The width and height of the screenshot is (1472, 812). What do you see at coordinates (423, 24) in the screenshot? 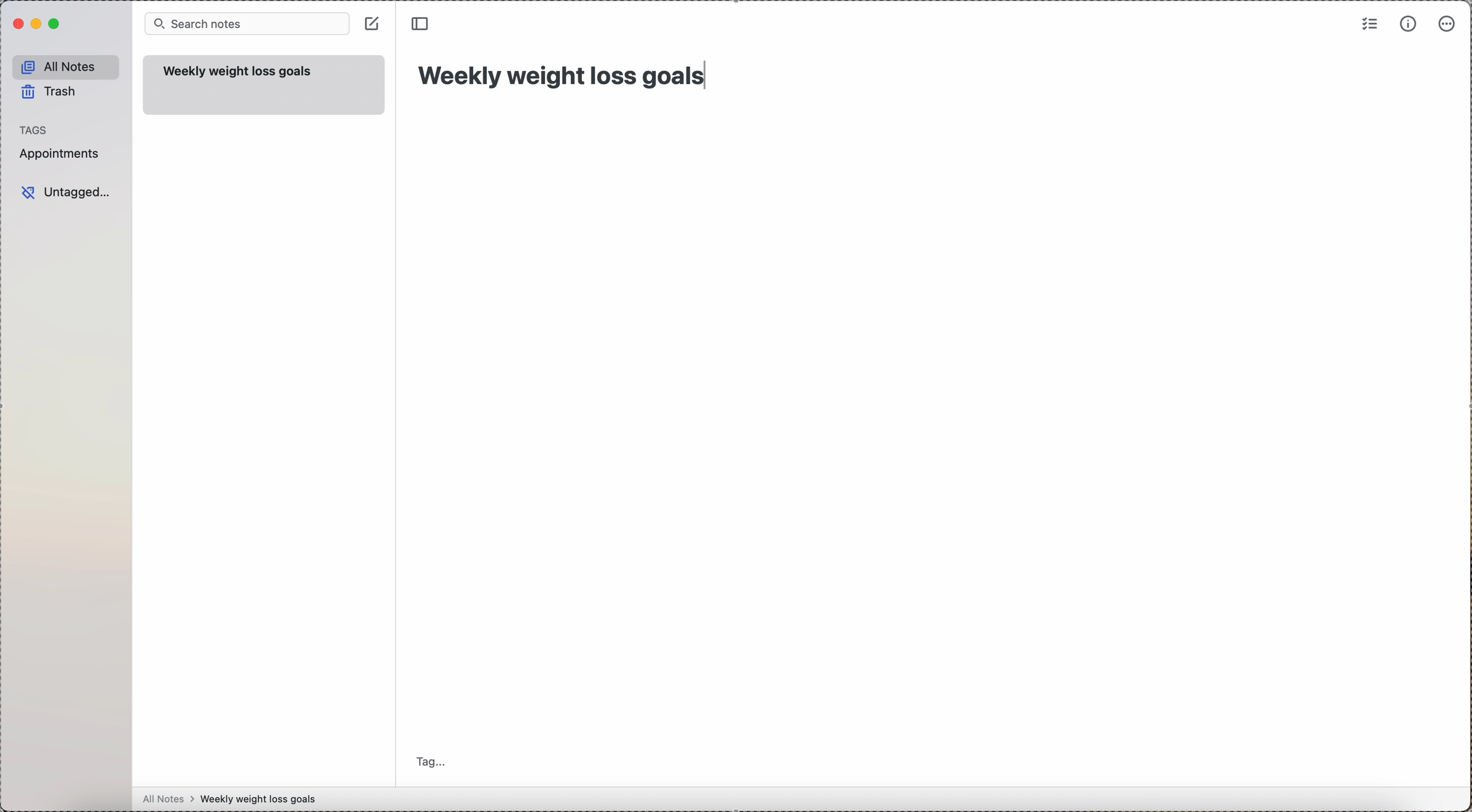
I see `toggle side bar` at bounding box center [423, 24].